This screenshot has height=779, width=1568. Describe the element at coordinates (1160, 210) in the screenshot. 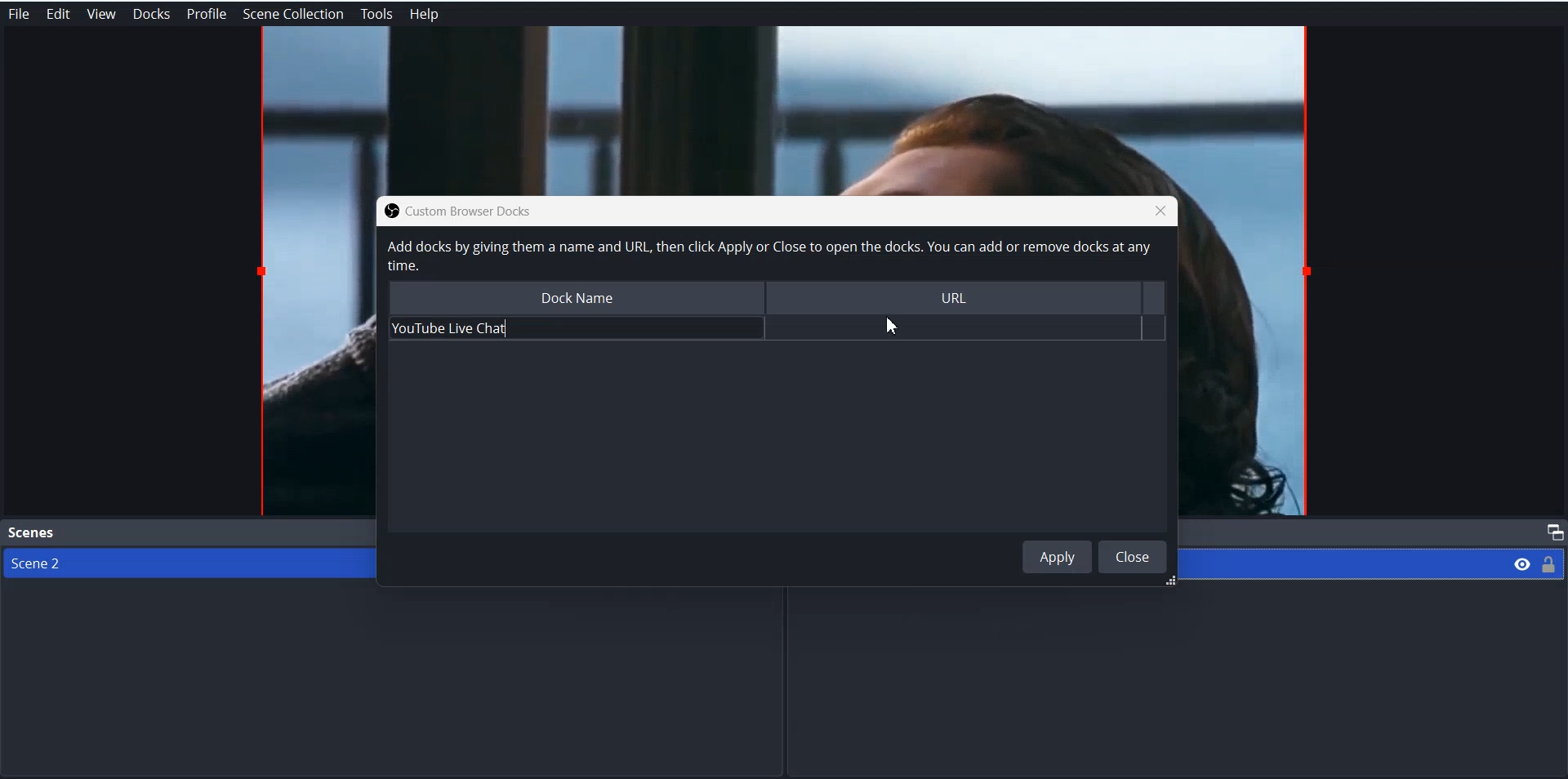

I see `Close` at that location.